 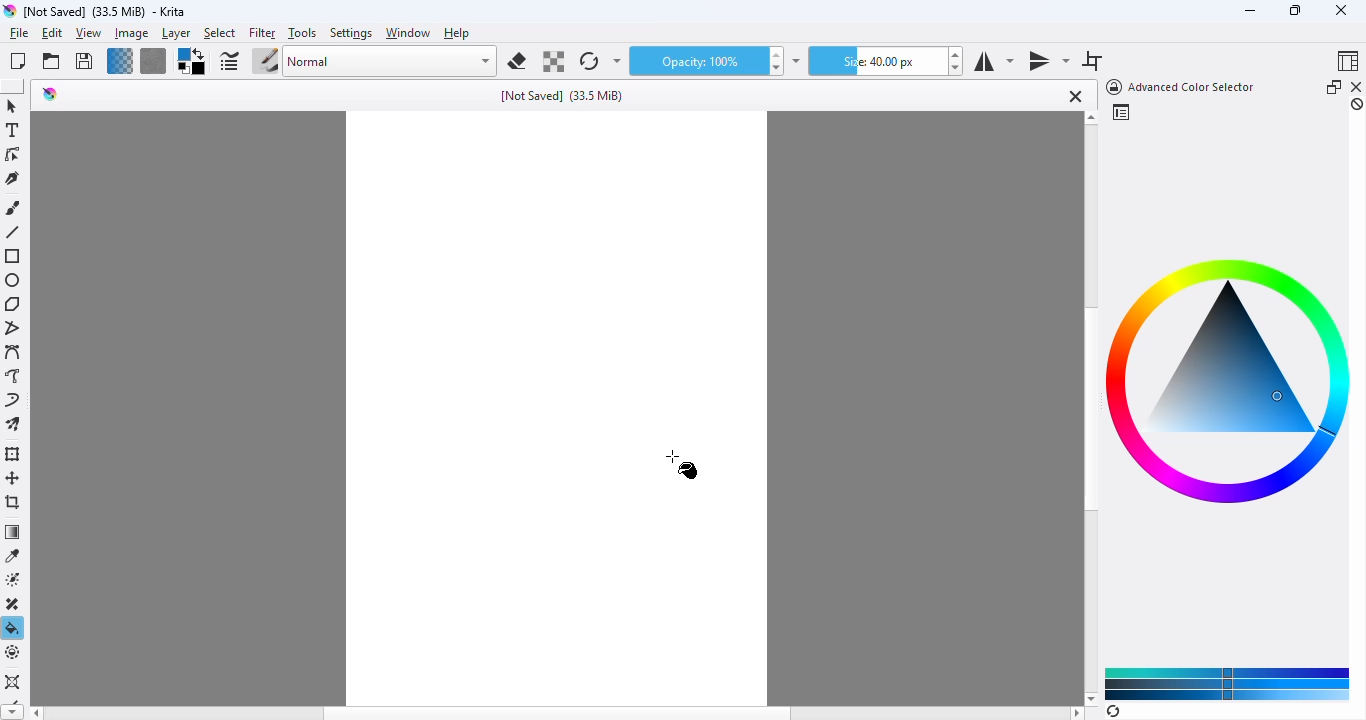 I want to click on vertical scroll bar, so click(x=1089, y=410).